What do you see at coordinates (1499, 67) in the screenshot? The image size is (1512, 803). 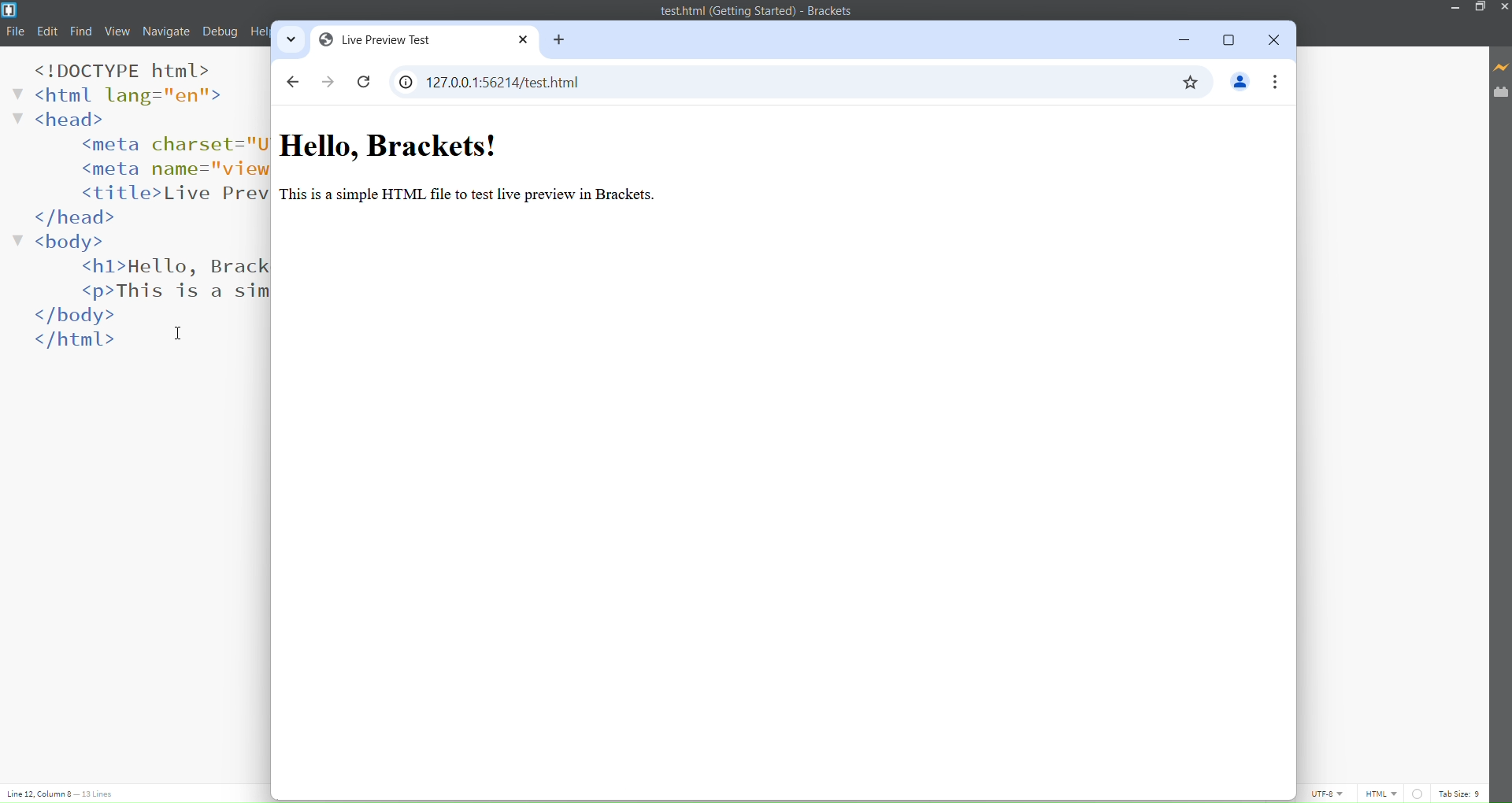 I see `Live Preview Activated` at bounding box center [1499, 67].